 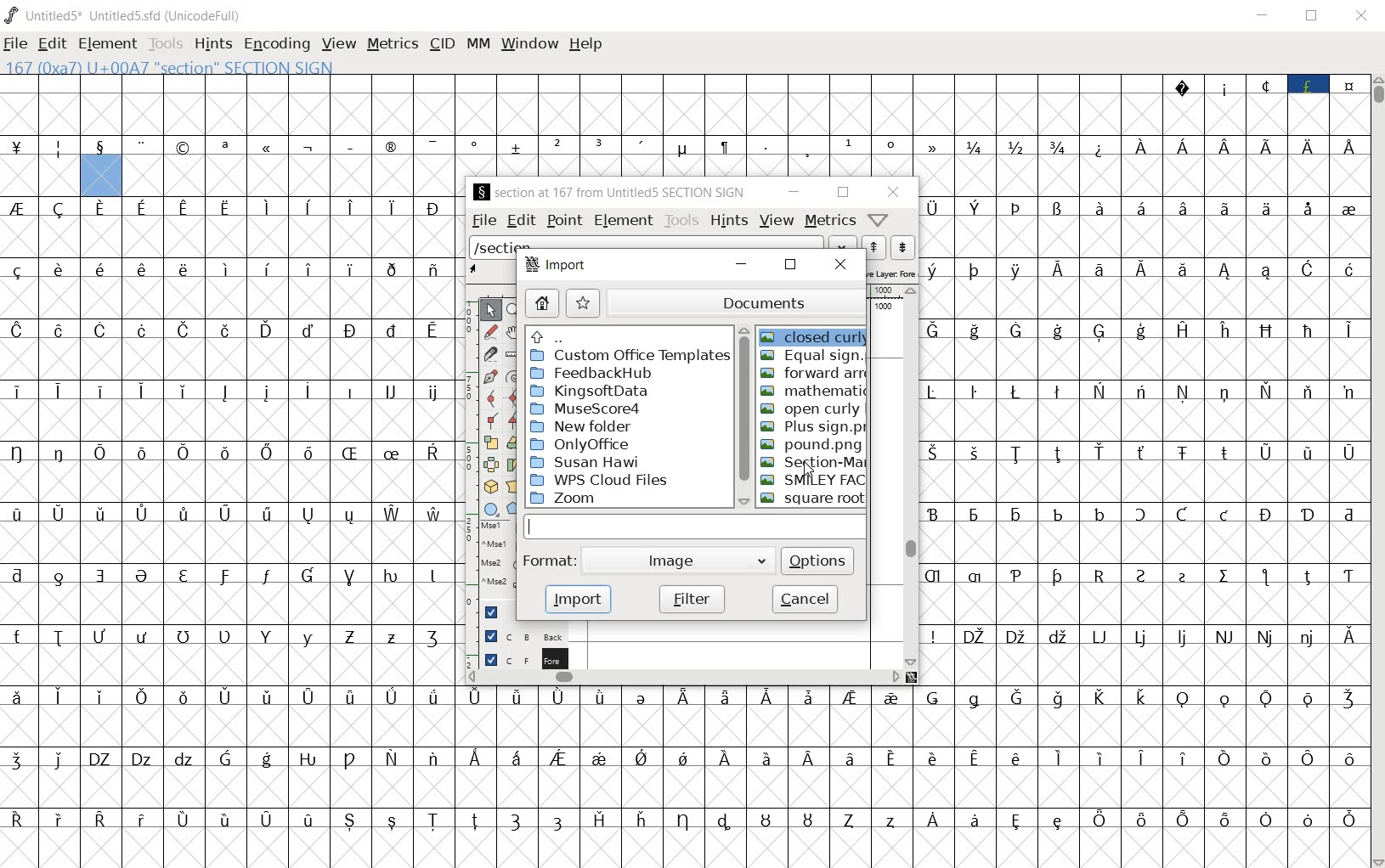 What do you see at coordinates (684, 697) in the screenshot?
I see `special letters` at bounding box center [684, 697].